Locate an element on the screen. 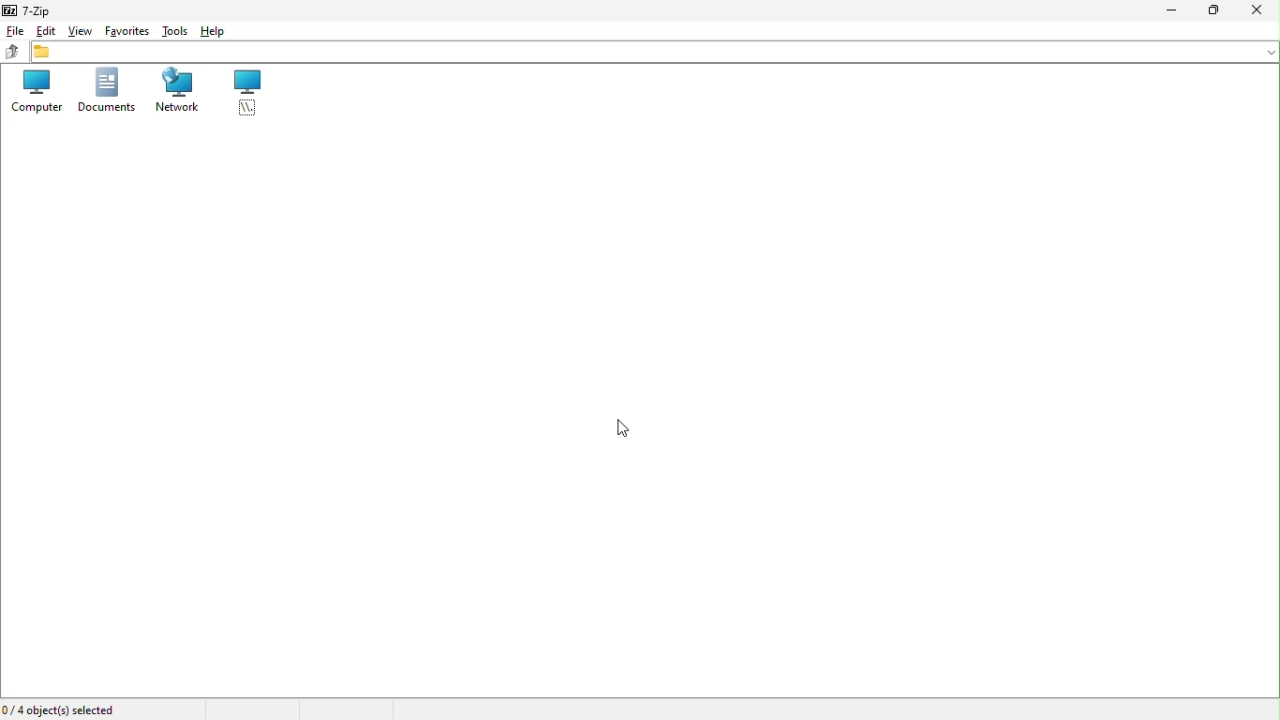  Four object selected is located at coordinates (70, 710).